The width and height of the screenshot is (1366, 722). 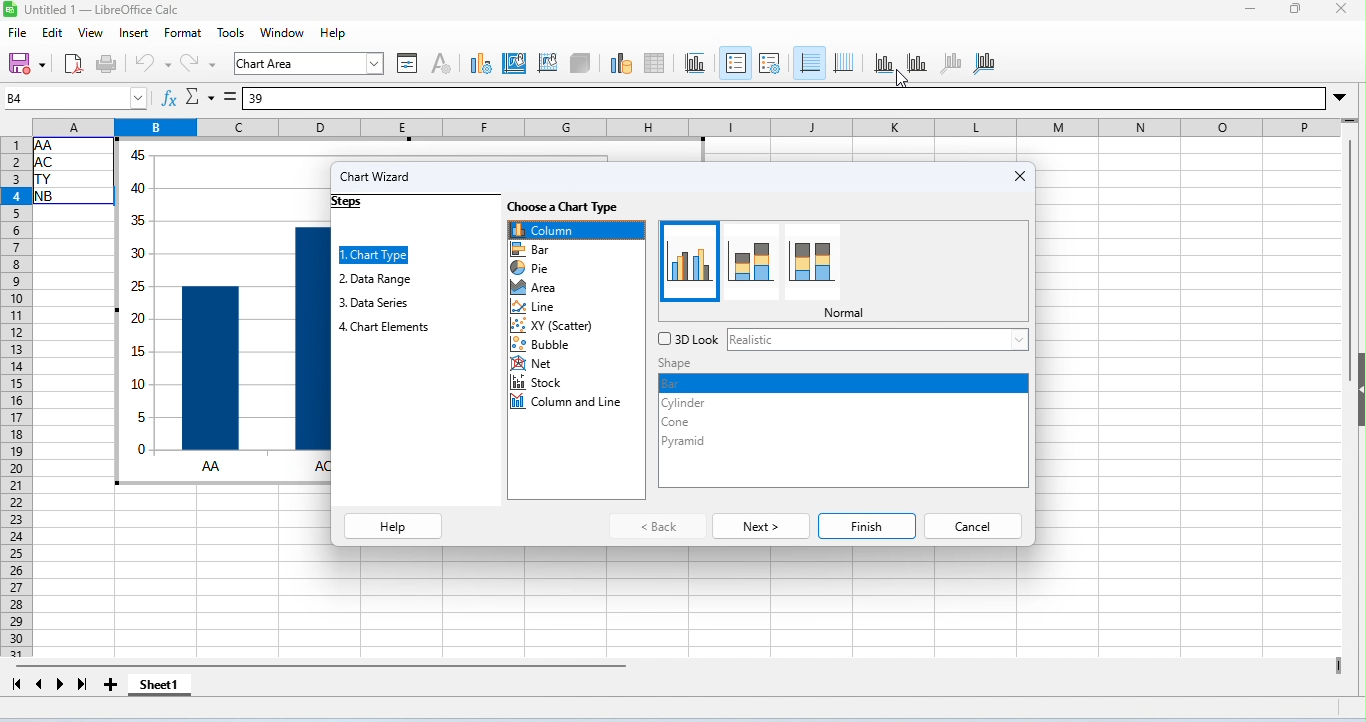 What do you see at coordinates (533, 364) in the screenshot?
I see `net` at bounding box center [533, 364].